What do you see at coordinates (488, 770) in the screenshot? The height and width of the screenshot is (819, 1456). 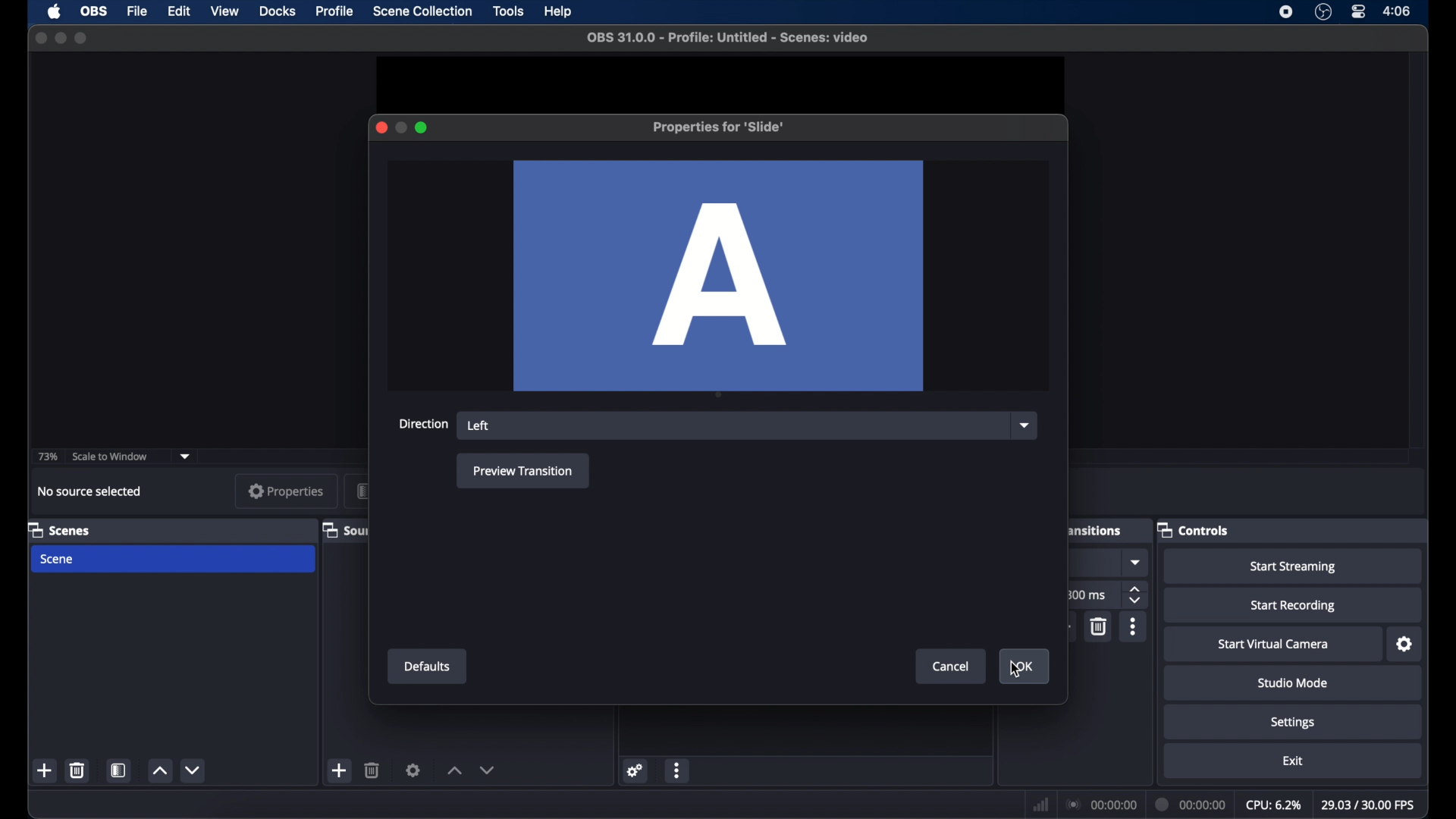 I see `decrement` at bounding box center [488, 770].